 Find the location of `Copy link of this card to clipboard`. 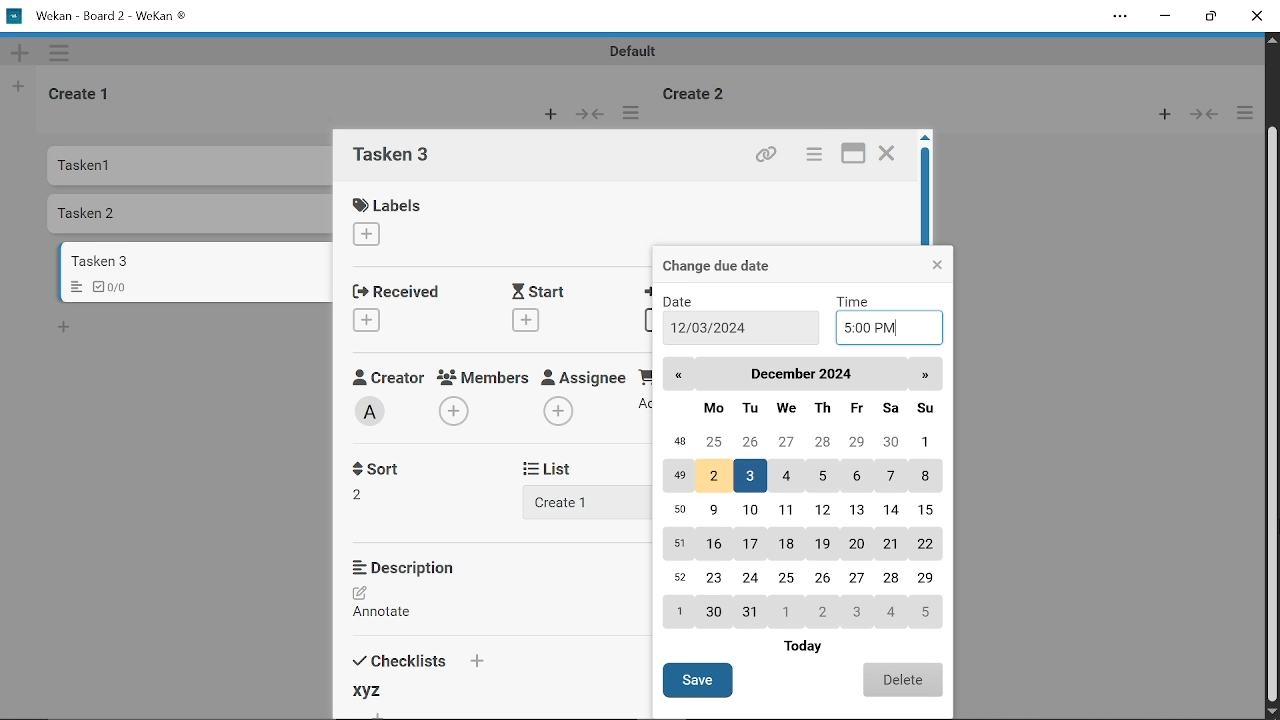

Copy link of this card to clipboard is located at coordinates (764, 155).